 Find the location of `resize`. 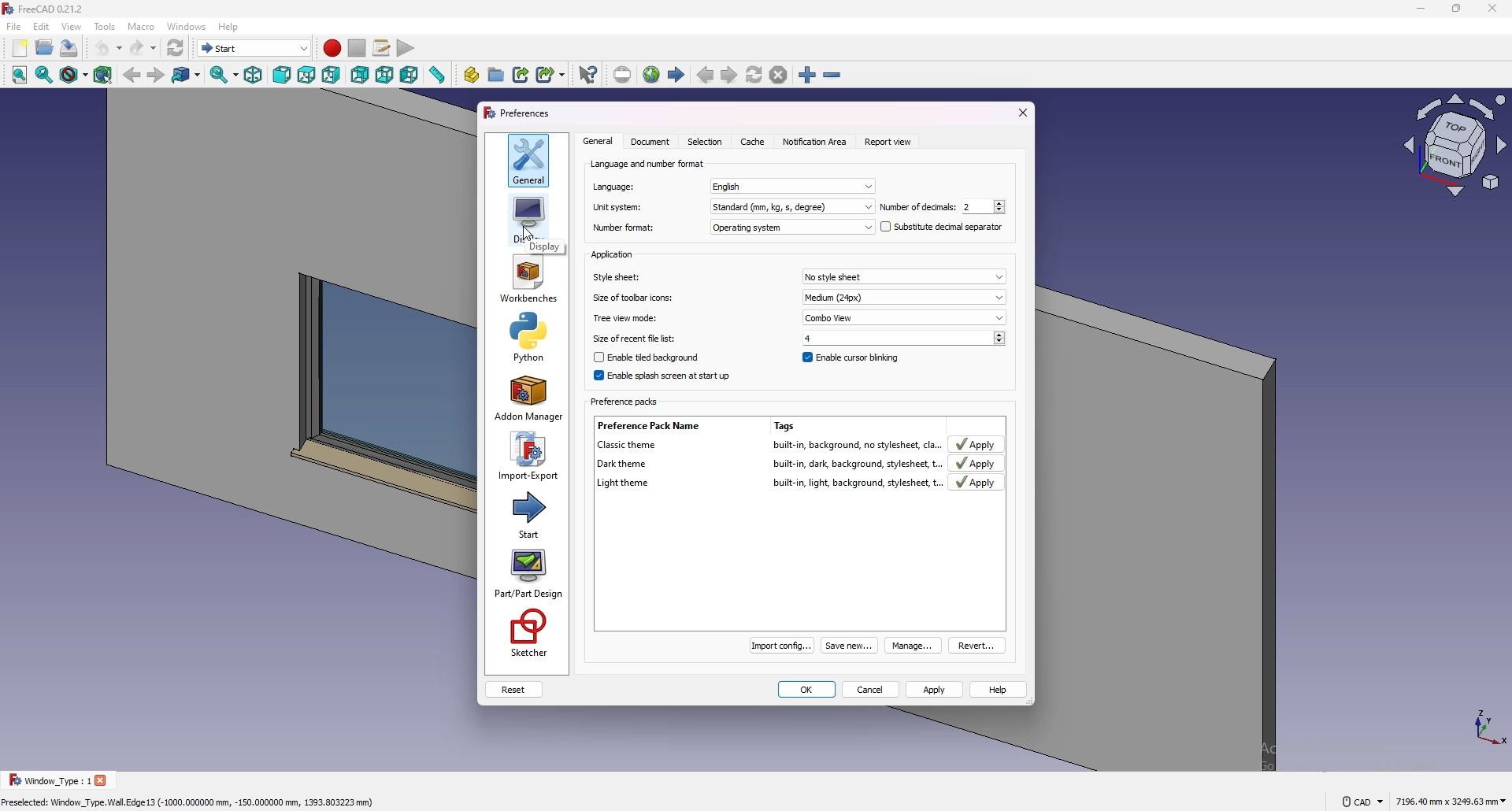

resize is located at coordinates (1457, 9).